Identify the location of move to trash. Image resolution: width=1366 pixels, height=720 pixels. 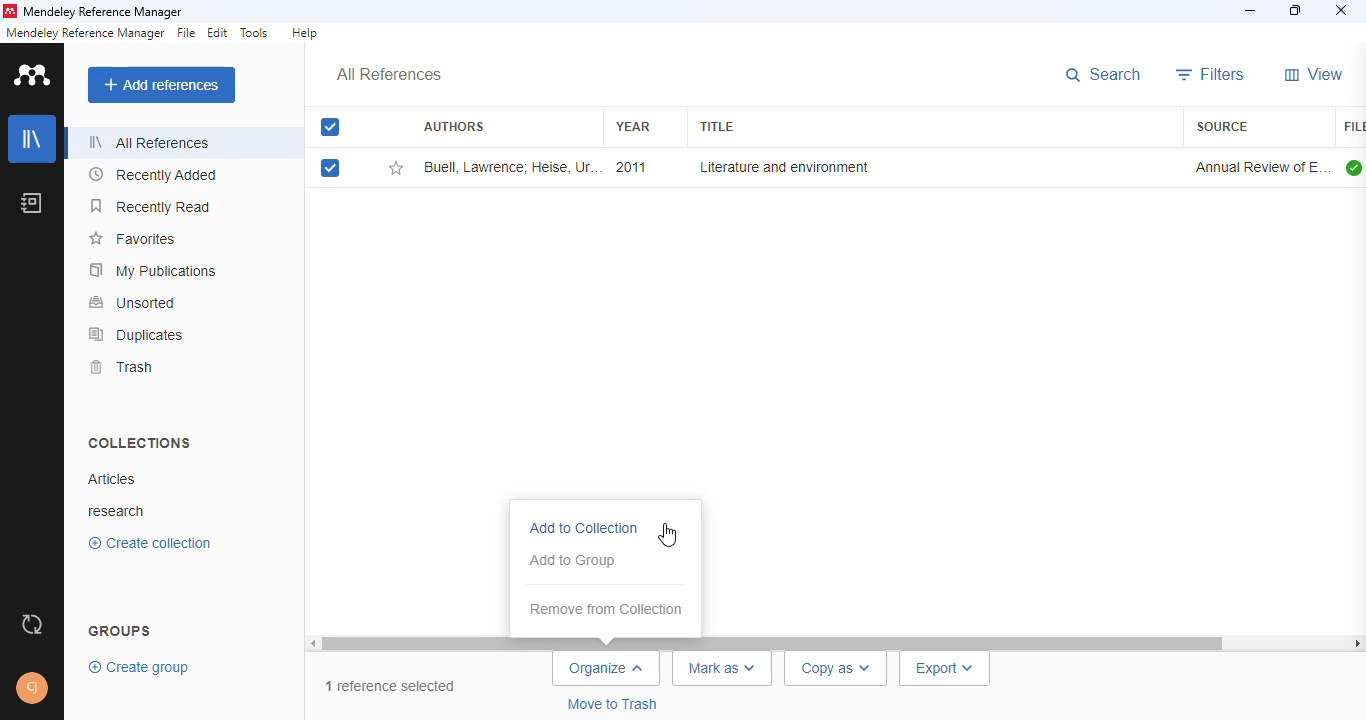
(610, 704).